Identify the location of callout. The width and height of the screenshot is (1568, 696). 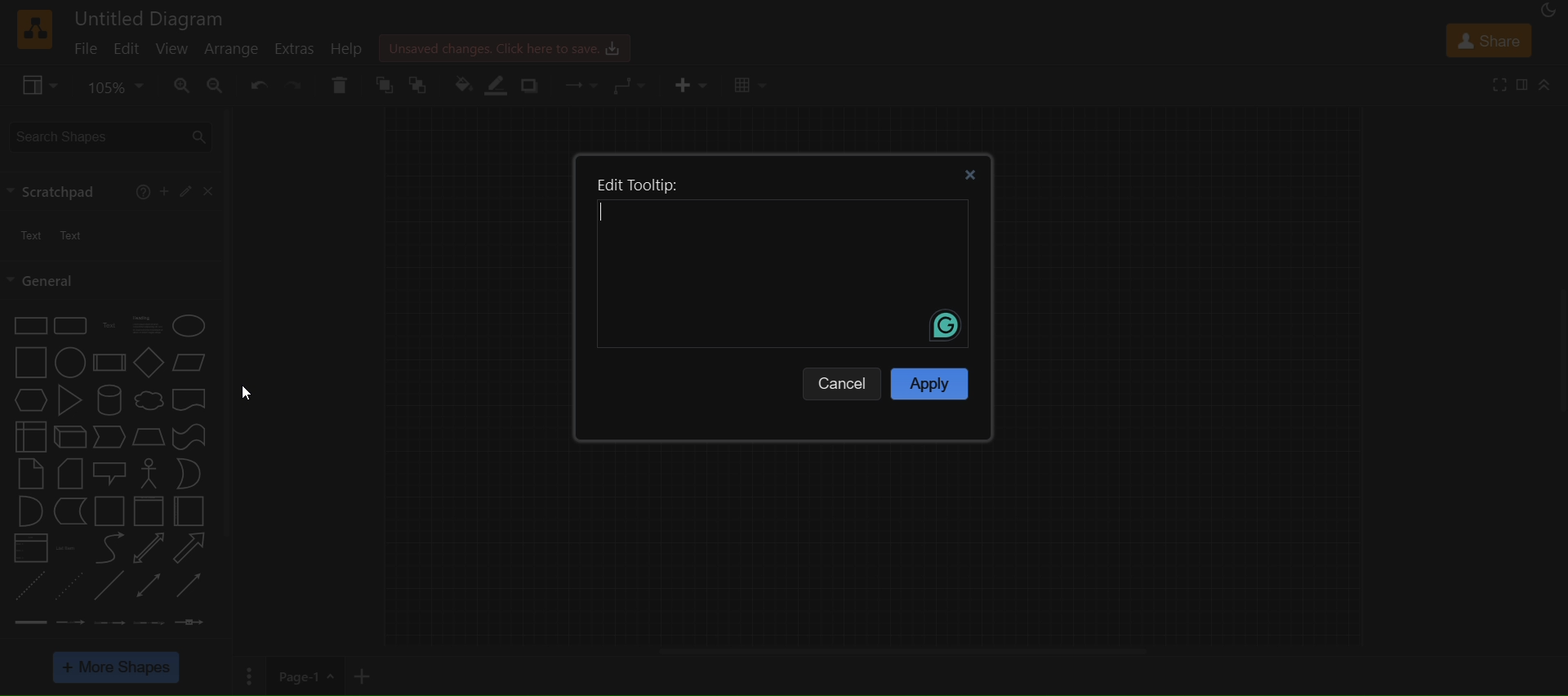
(148, 474).